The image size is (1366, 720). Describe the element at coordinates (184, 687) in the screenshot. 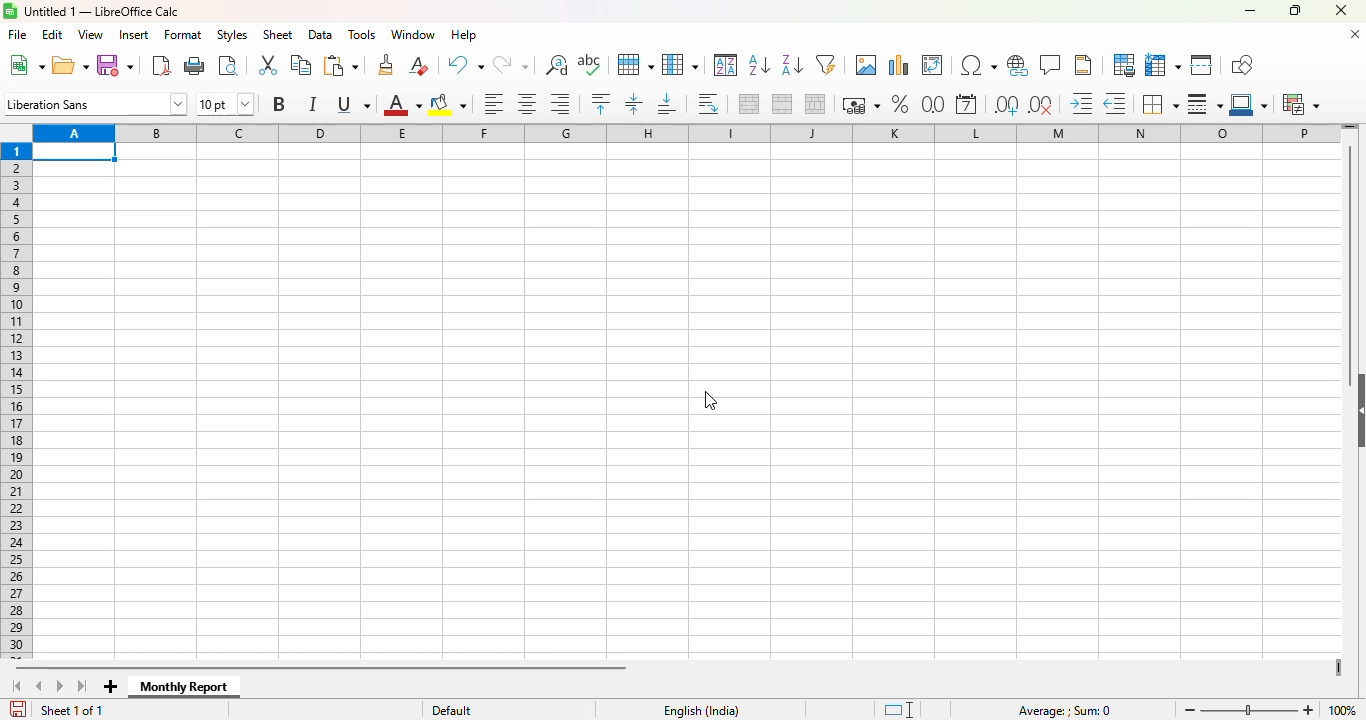

I see `Monthly Report` at that location.